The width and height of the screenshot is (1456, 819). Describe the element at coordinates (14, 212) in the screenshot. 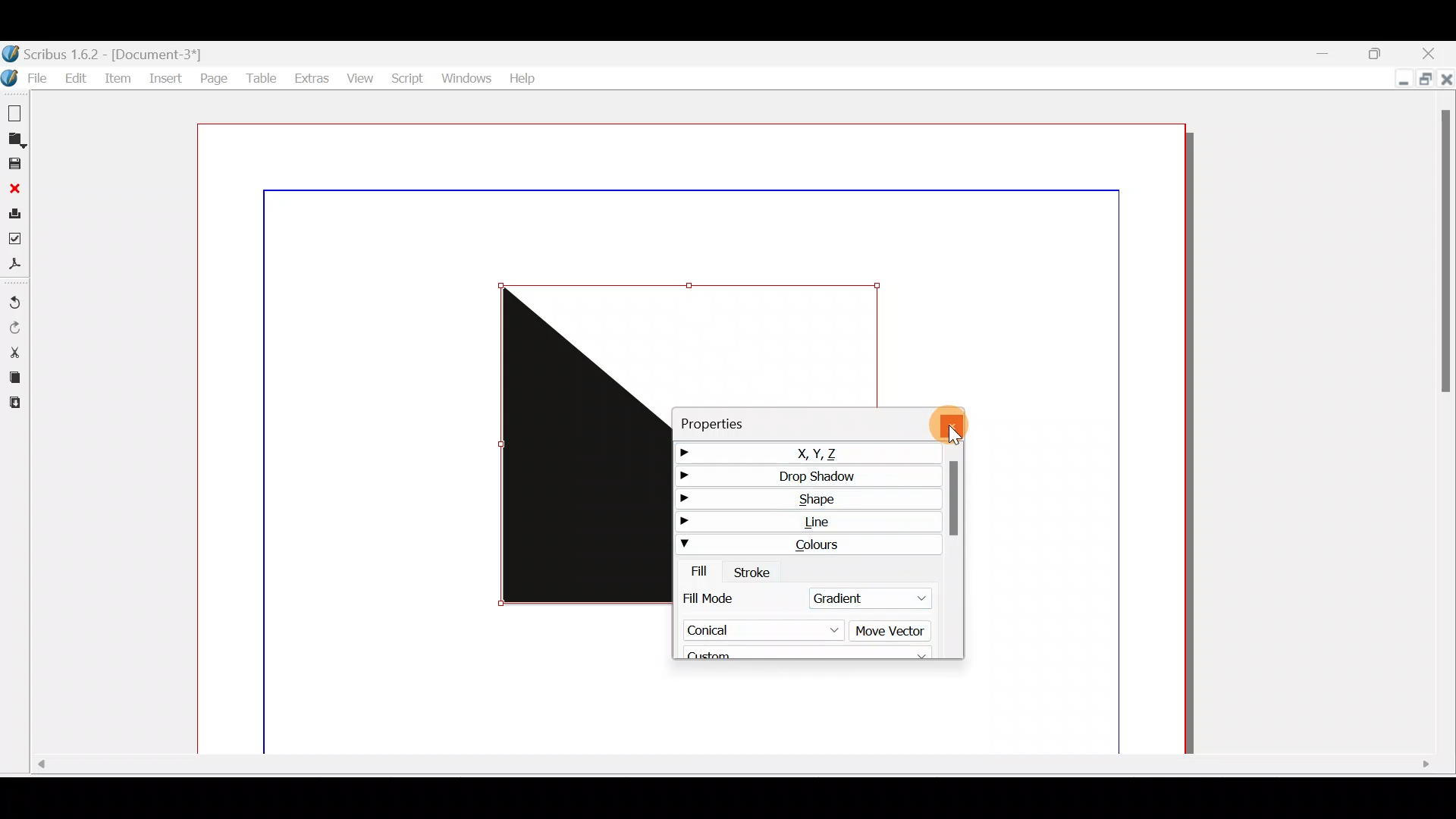

I see `Print` at that location.